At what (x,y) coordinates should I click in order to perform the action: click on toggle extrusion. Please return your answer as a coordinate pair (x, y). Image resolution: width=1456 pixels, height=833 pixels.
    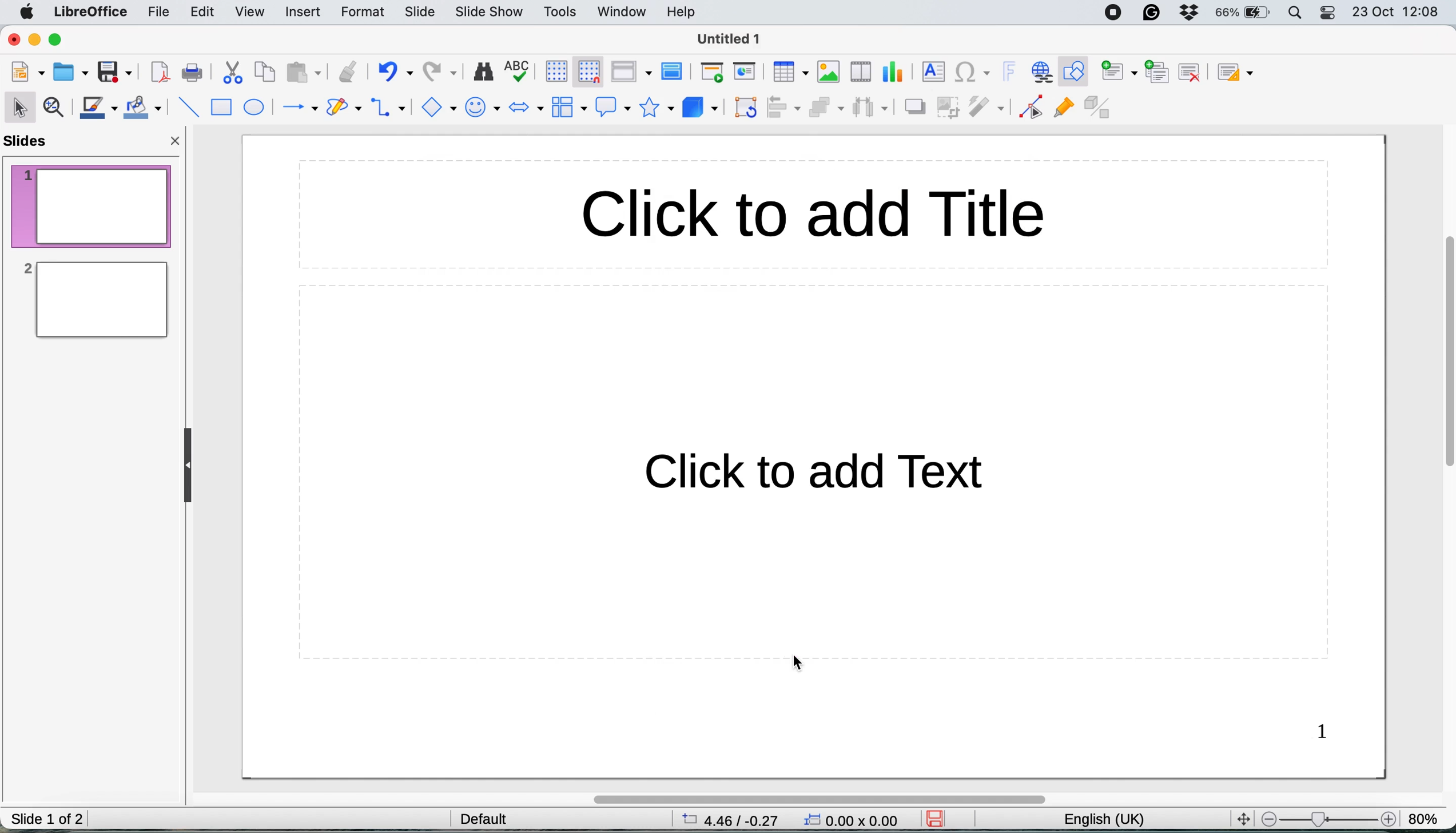
    Looking at the image, I should click on (1100, 109).